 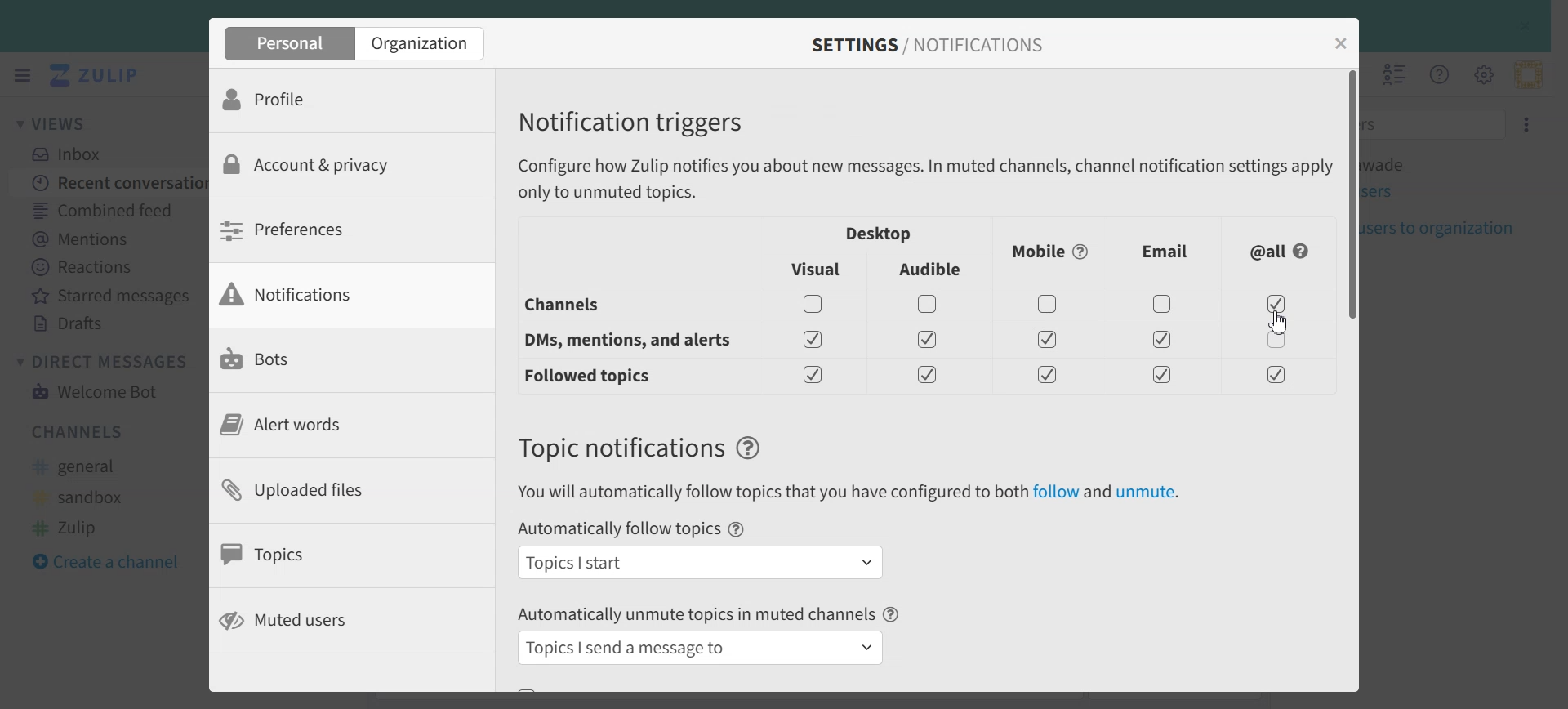 What do you see at coordinates (701, 562) in the screenshot?
I see `Topics I start` at bounding box center [701, 562].